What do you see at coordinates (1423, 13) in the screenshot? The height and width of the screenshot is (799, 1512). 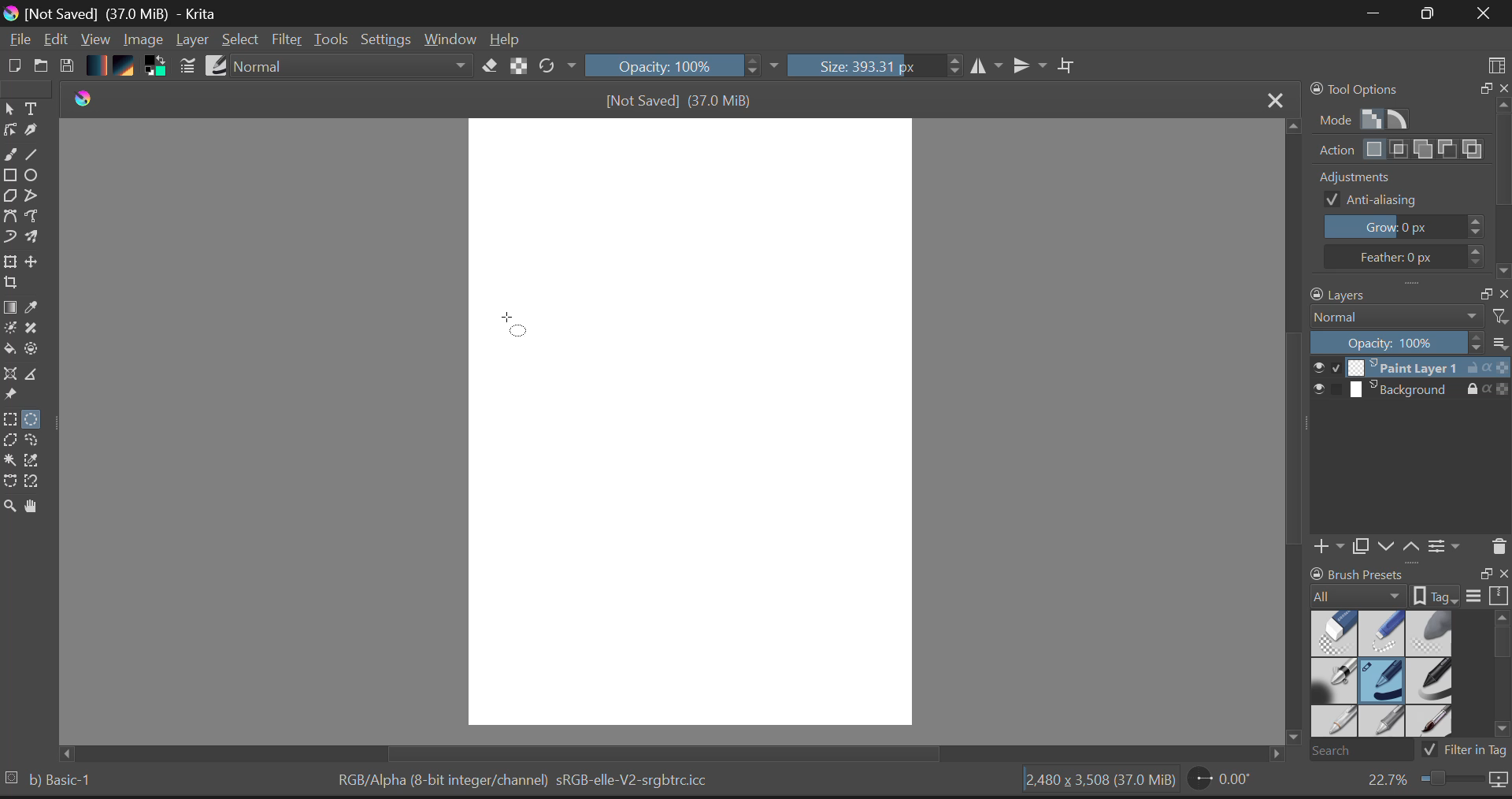 I see `Minimize` at bounding box center [1423, 13].